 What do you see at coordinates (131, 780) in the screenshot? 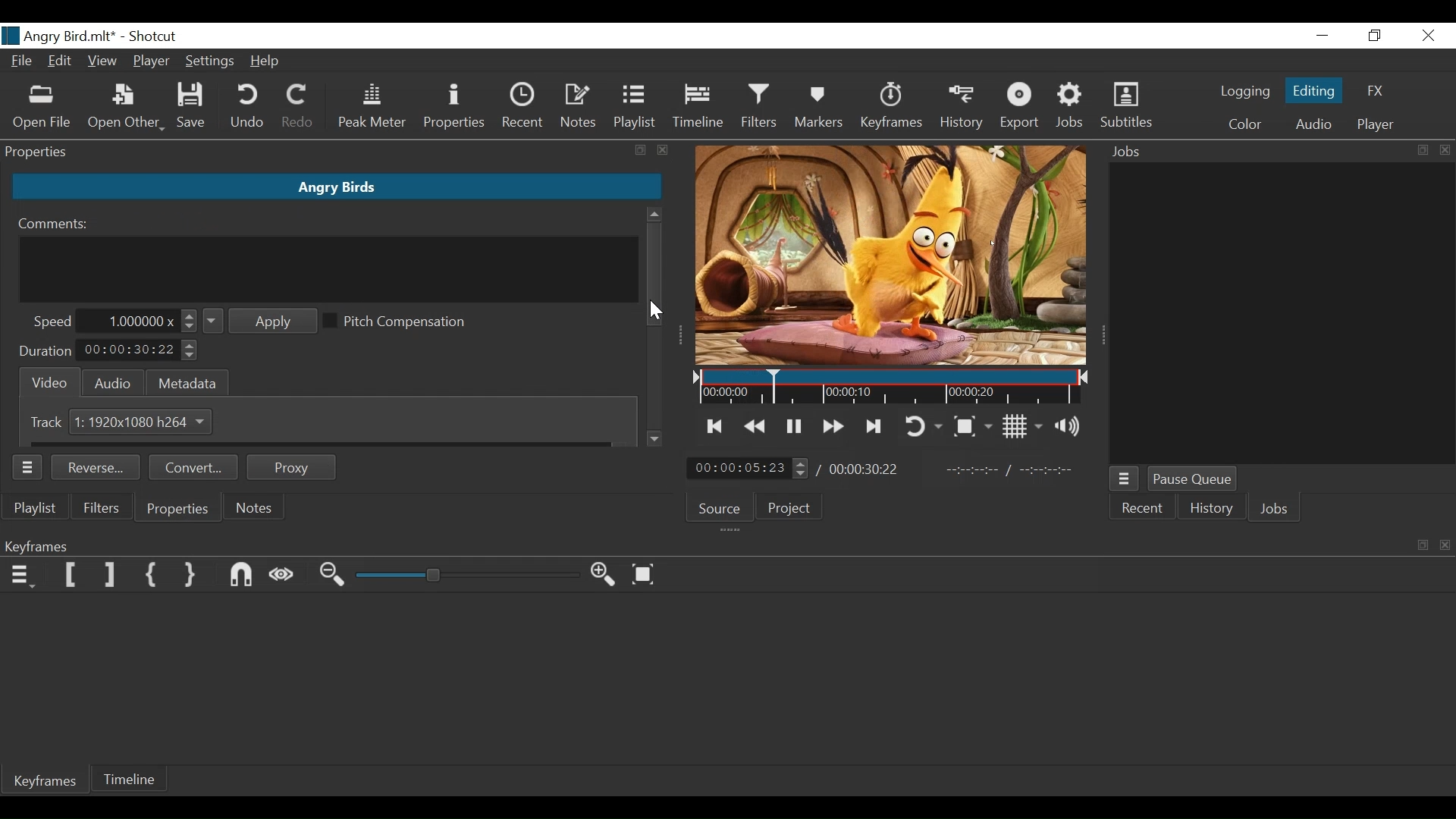
I see `Timeline` at bounding box center [131, 780].